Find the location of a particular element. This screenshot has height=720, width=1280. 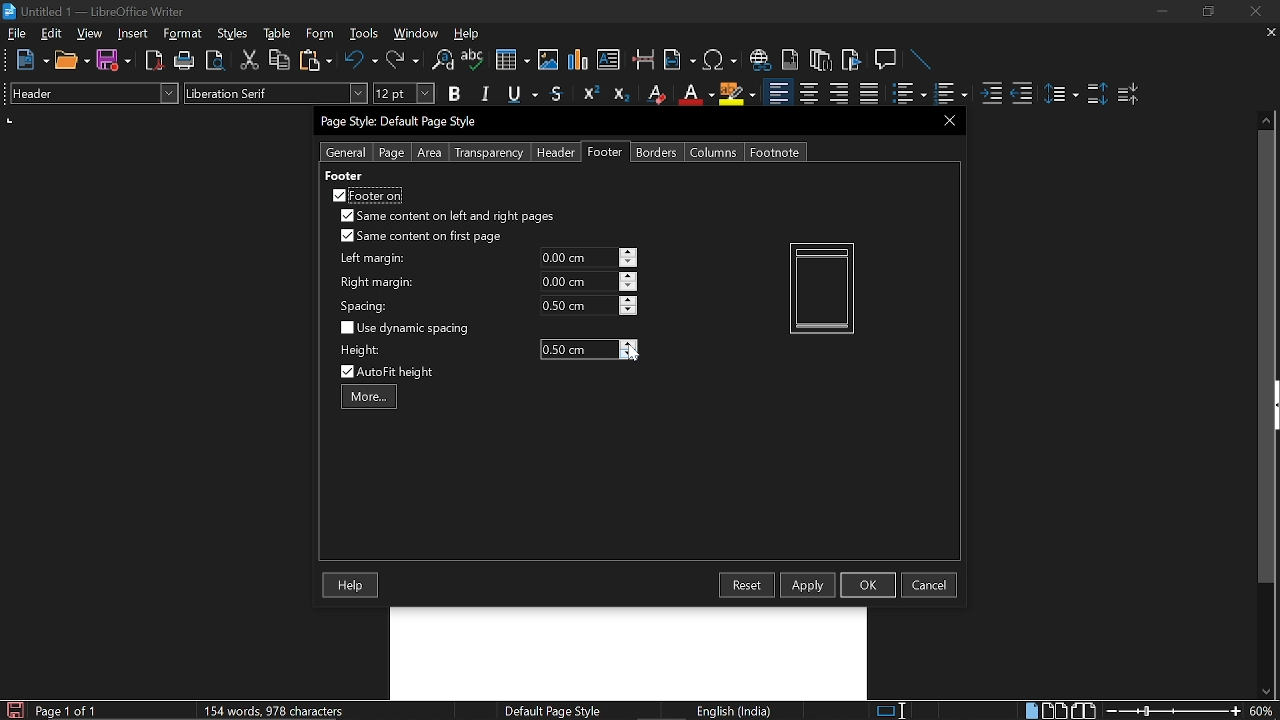

Text style is located at coordinates (277, 93).